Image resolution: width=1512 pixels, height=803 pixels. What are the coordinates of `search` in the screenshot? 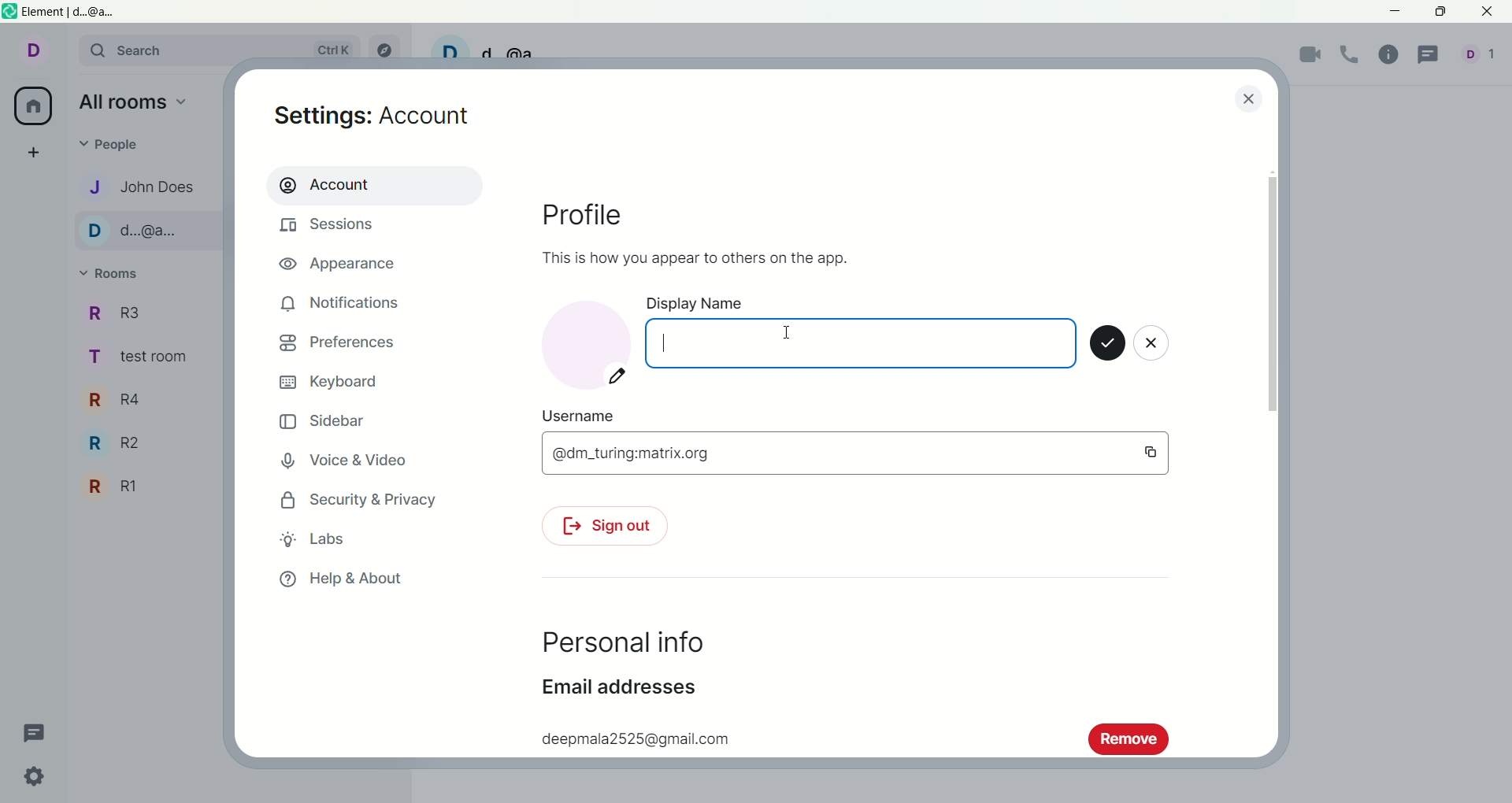 It's located at (226, 51).